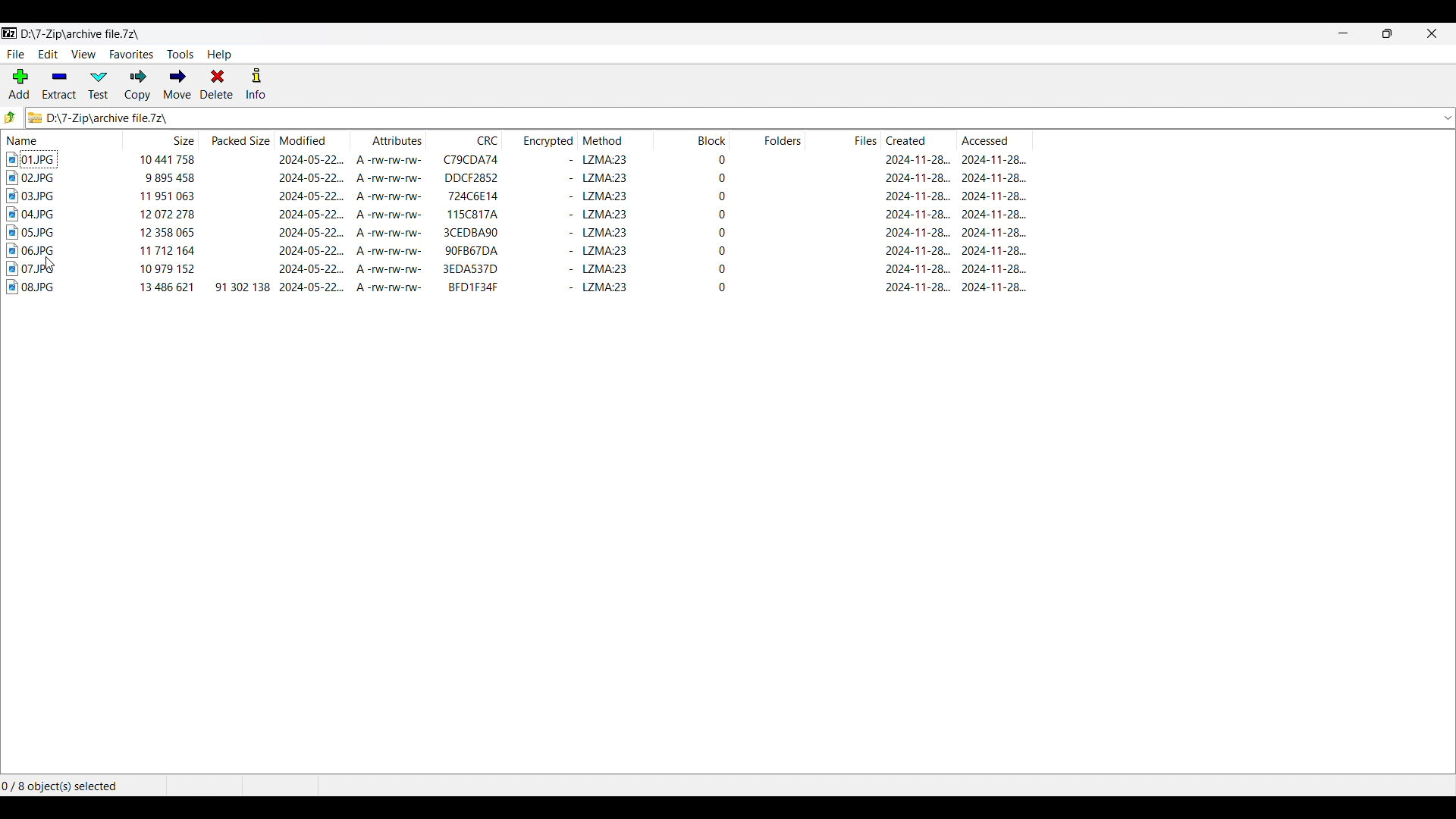 The width and height of the screenshot is (1456, 819). Describe the element at coordinates (389, 140) in the screenshot. I see `Attributes column` at that location.